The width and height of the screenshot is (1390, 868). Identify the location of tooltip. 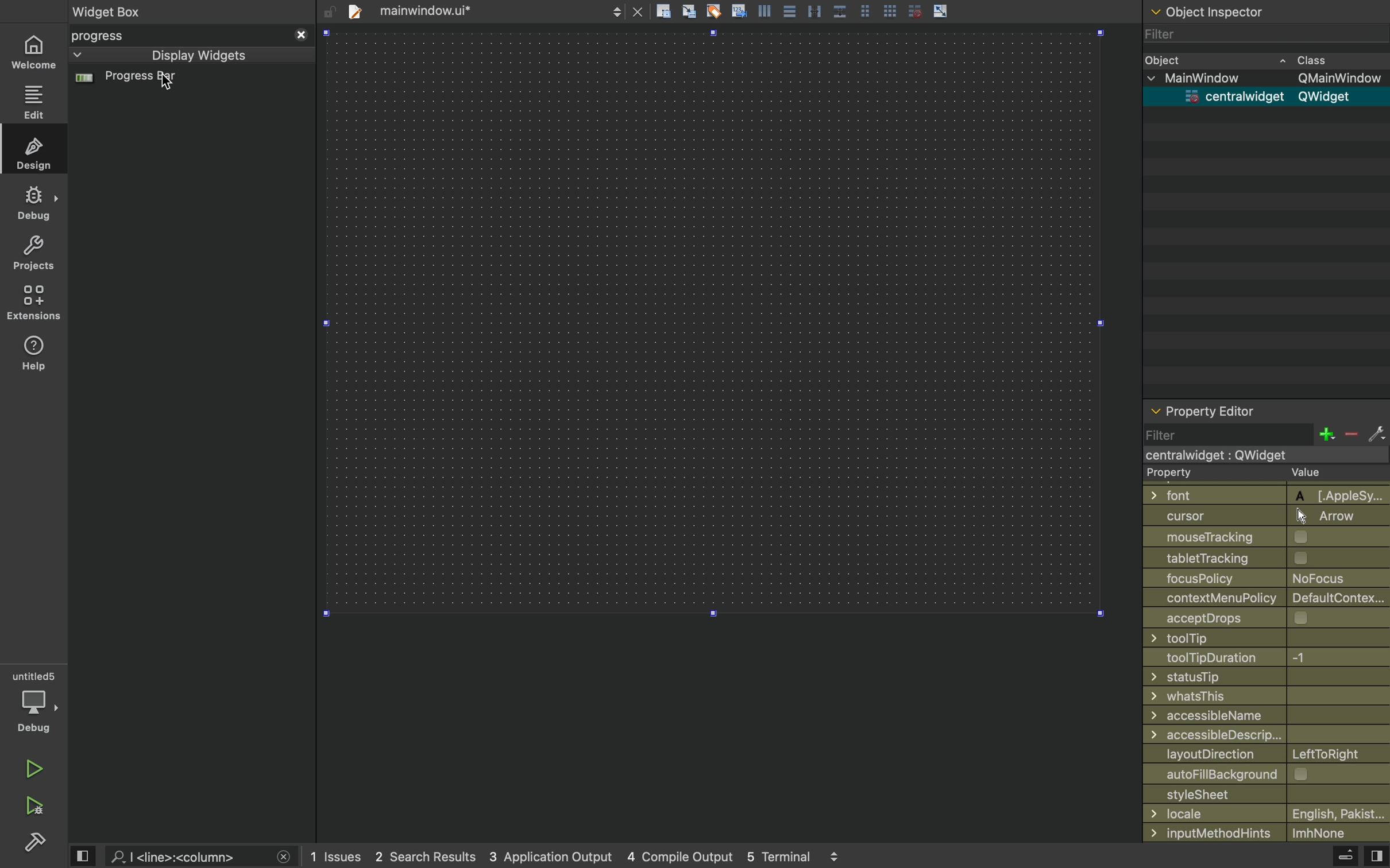
(1255, 638).